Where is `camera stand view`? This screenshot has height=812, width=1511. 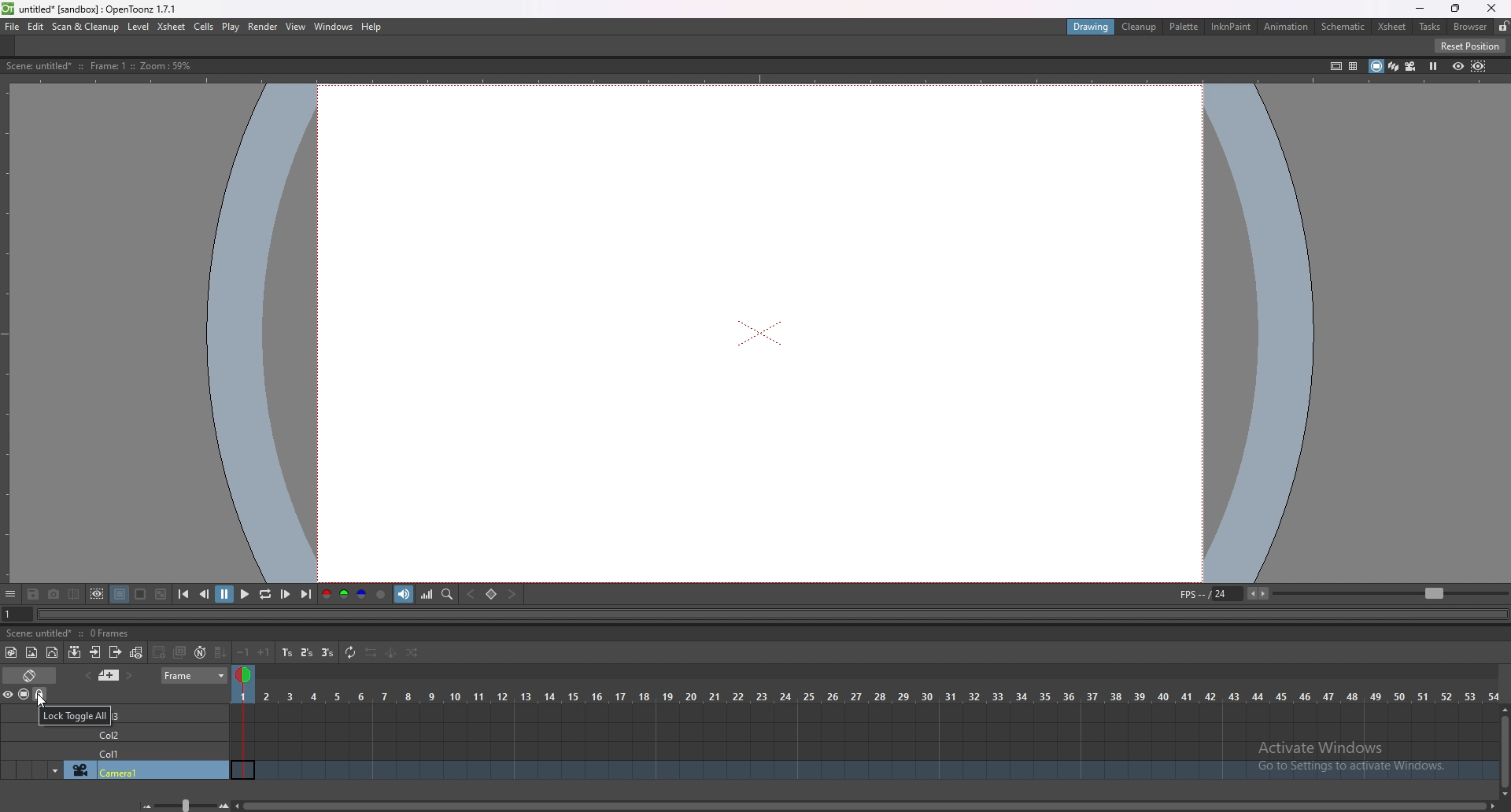
camera stand view is located at coordinates (1373, 65).